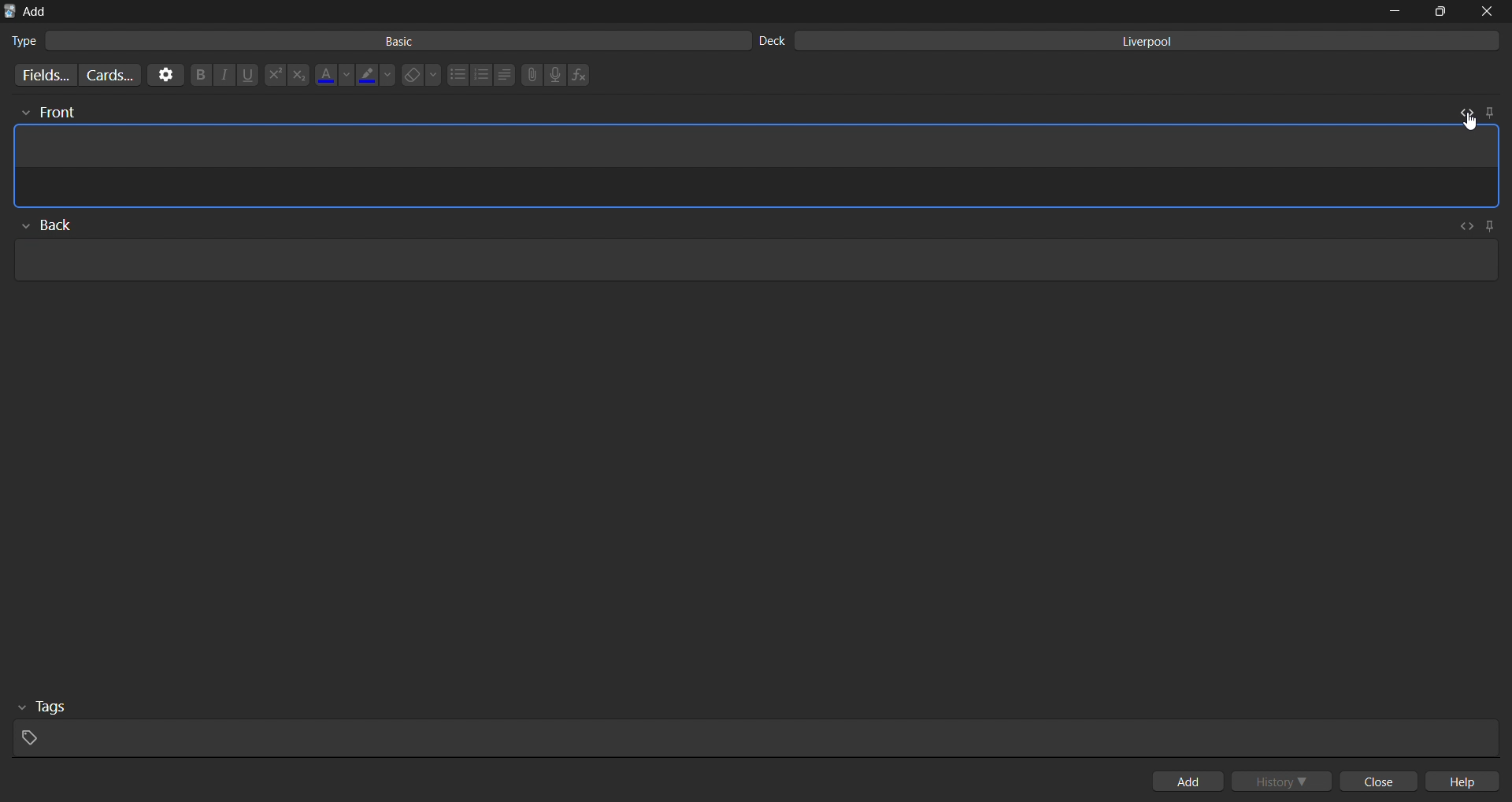 The height and width of the screenshot is (802, 1512). What do you see at coordinates (42, 75) in the screenshot?
I see `customize fields` at bounding box center [42, 75].